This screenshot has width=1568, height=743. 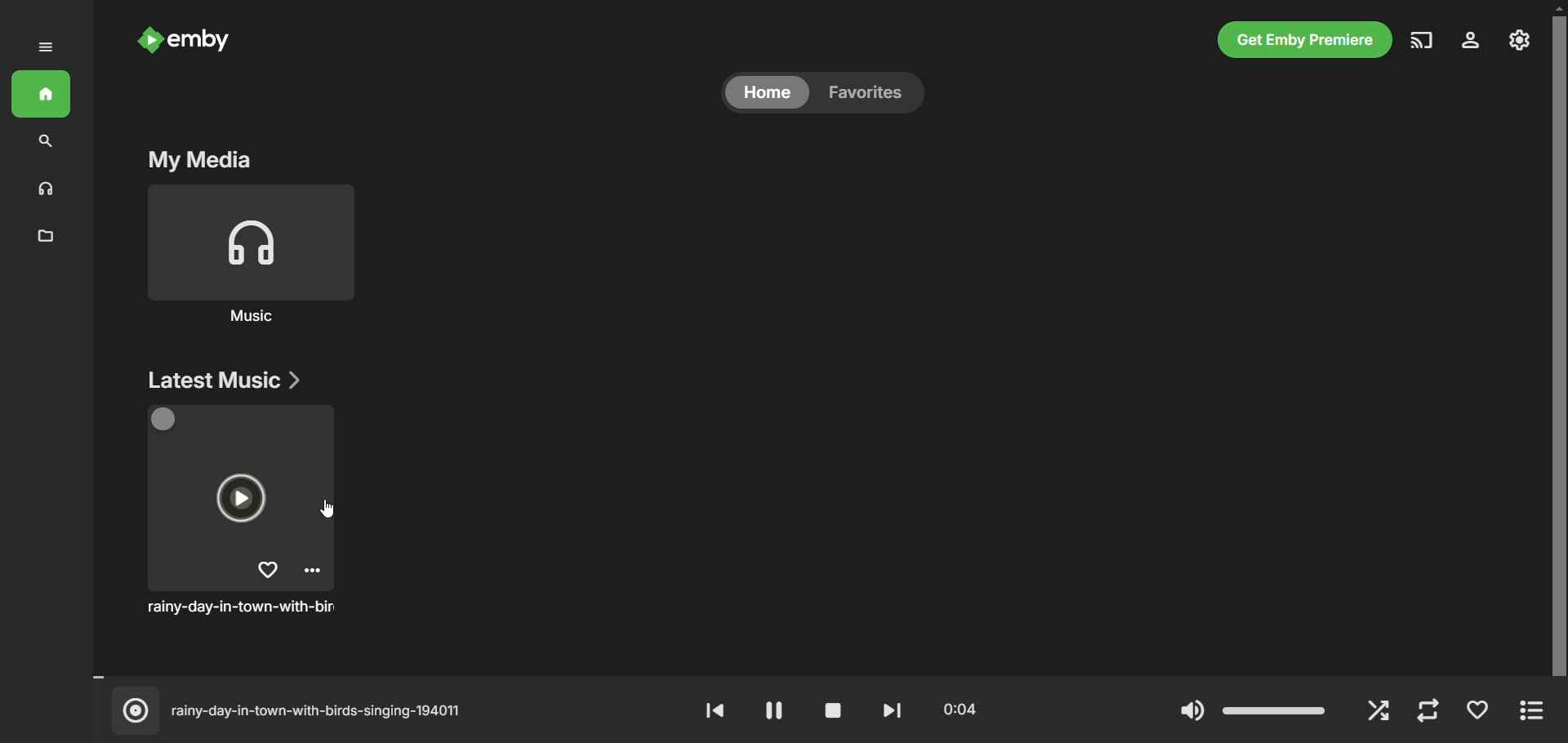 What do you see at coordinates (316, 572) in the screenshot?
I see `more` at bounding box center [316, 572].